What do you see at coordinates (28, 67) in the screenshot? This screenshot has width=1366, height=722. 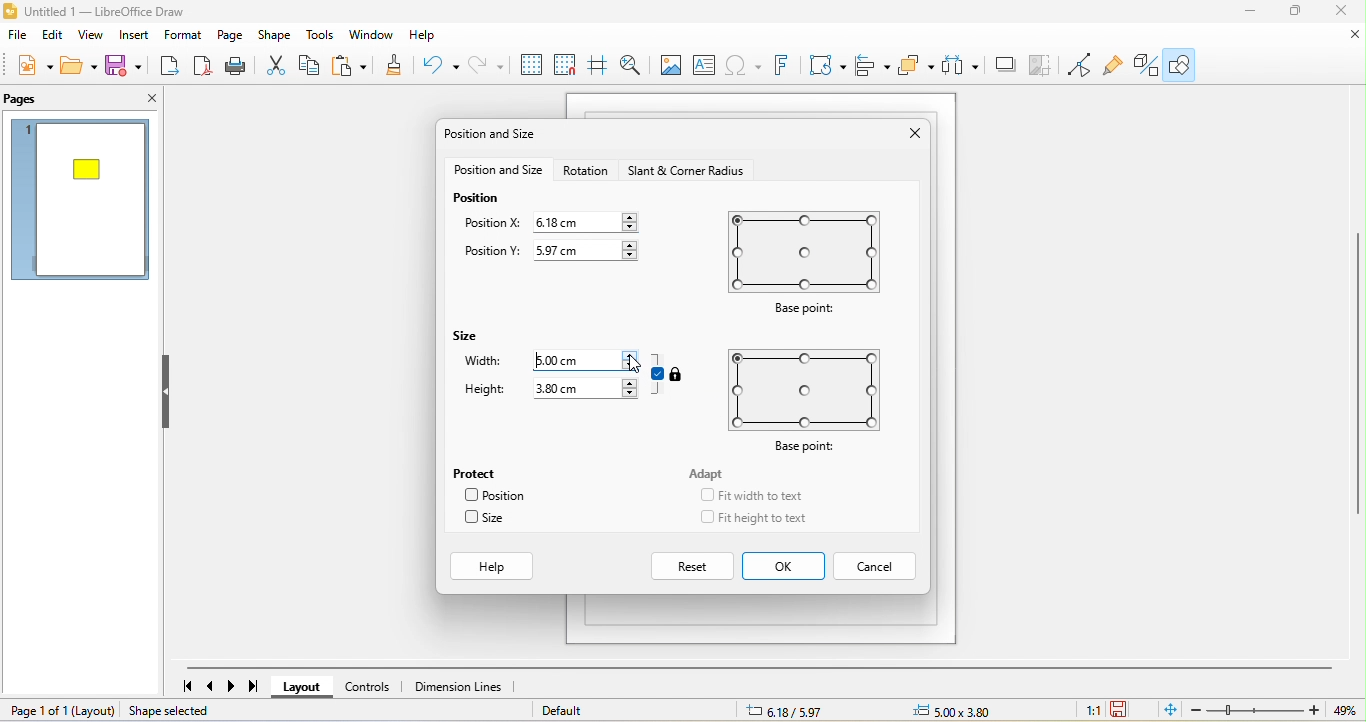 I see `new` at bounding box center [28, 67].